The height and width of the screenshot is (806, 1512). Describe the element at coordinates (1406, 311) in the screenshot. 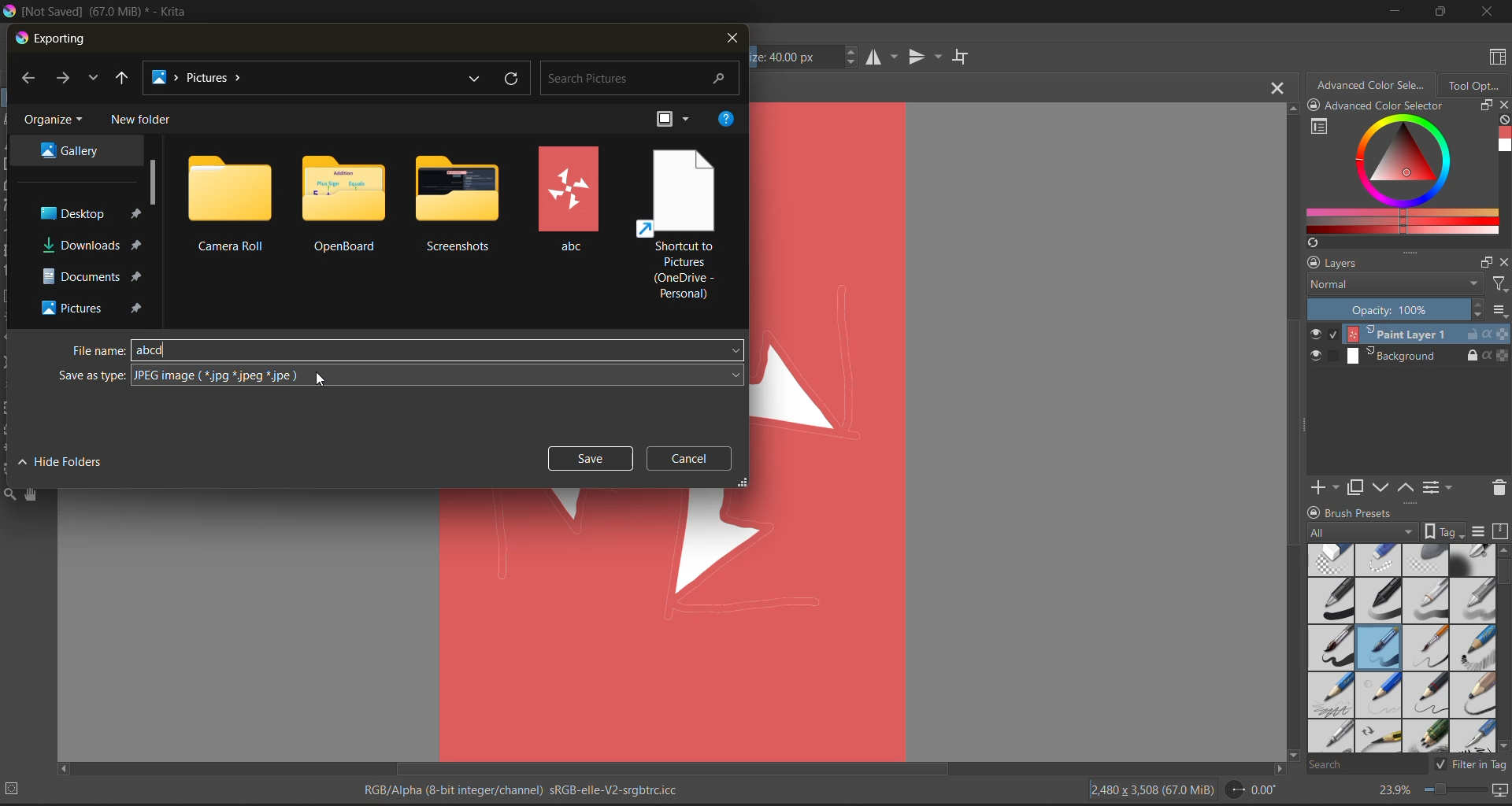

I see `opacity` at that location.